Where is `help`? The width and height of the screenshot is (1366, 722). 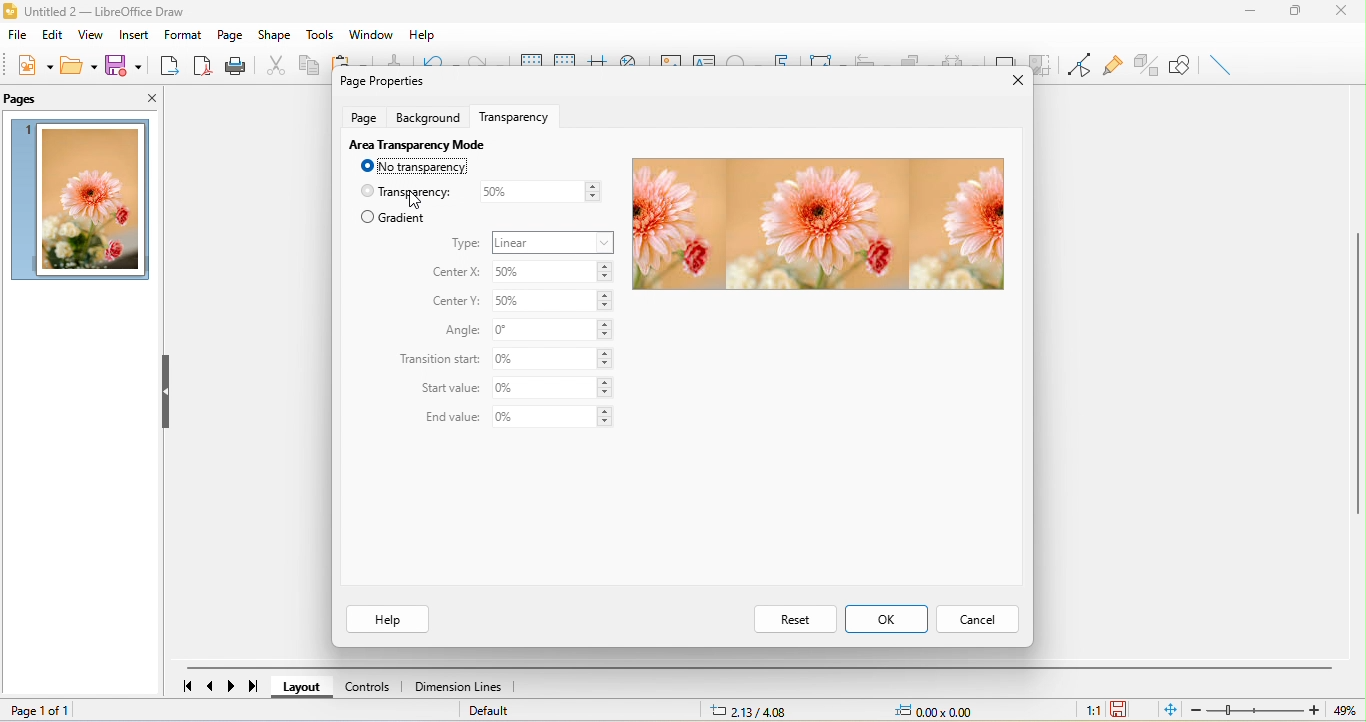
help is located at coordinates (425, 31).